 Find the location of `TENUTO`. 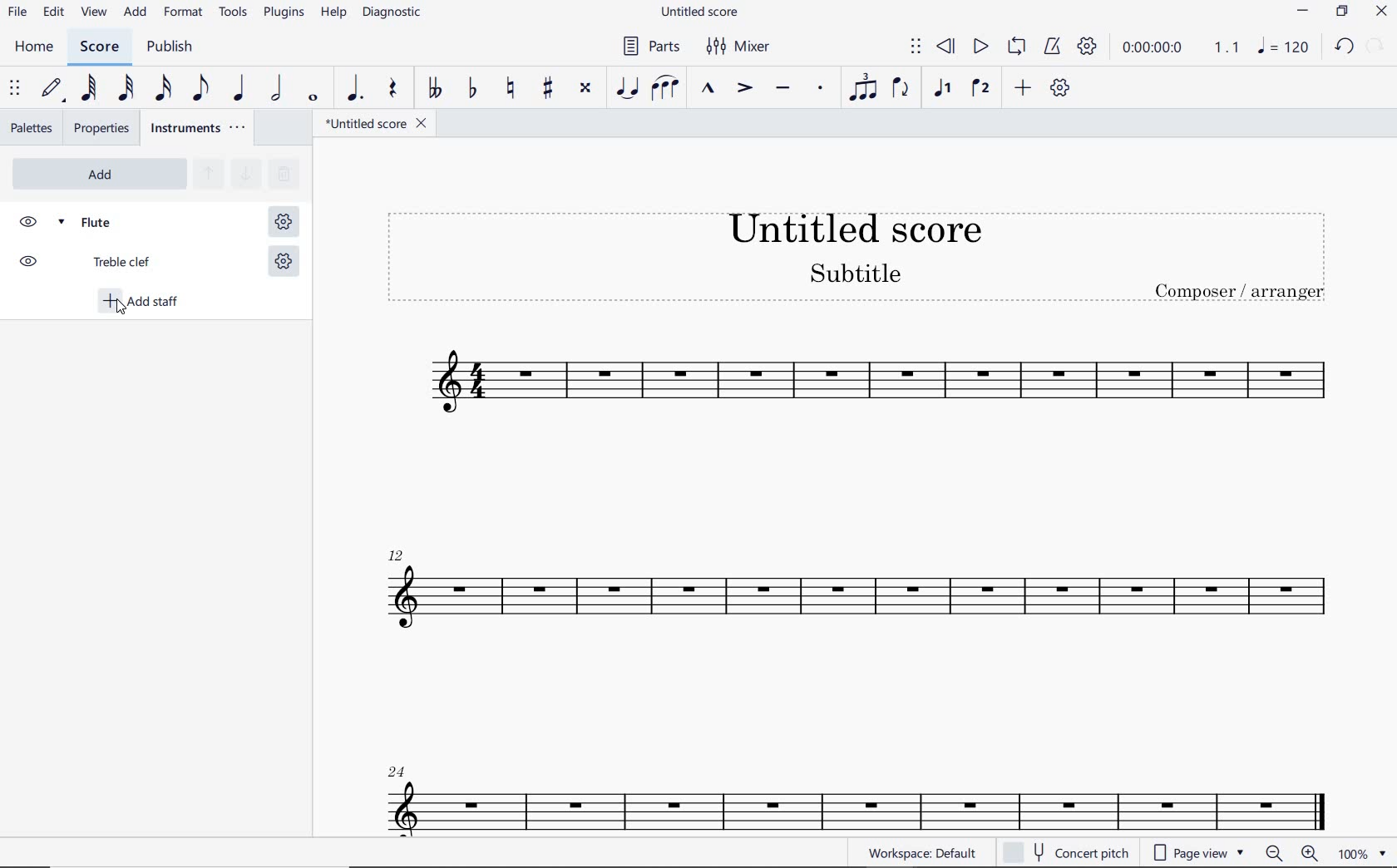

TENUTO is located at coordinates (782, 90).